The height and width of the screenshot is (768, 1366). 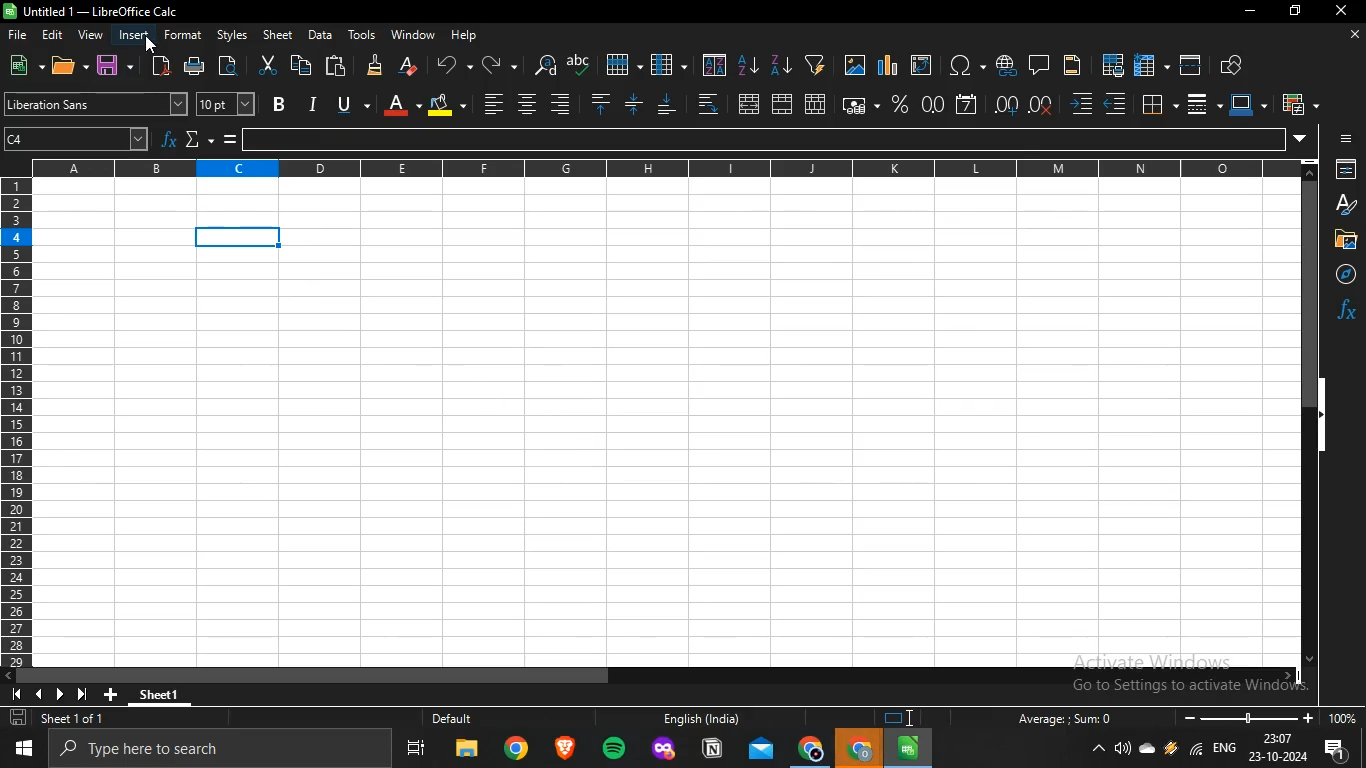 I want to click on properties, so click(x=1343, y=170).